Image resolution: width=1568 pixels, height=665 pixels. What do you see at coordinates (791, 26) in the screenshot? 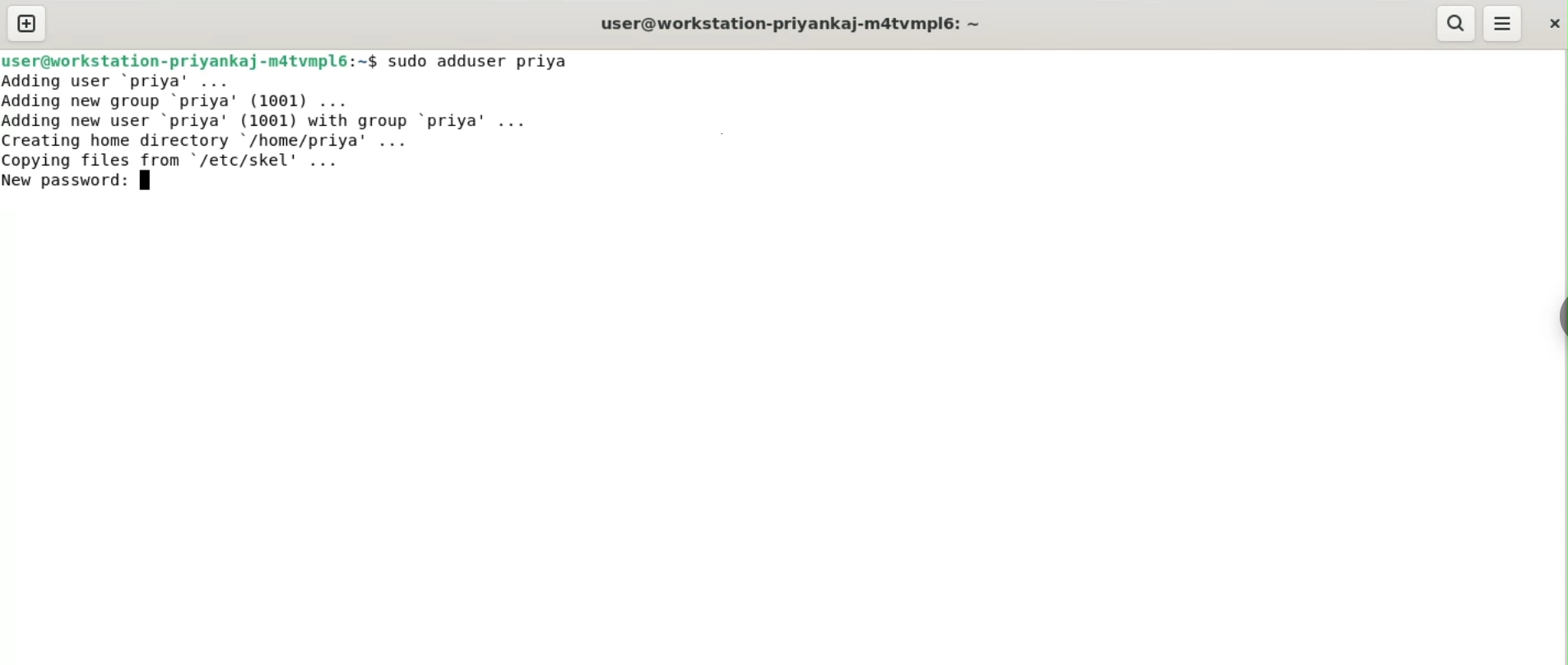
I see `user@workstation-priyankaj-m4tvmpl6: ~` at bounding box center [791, 26].